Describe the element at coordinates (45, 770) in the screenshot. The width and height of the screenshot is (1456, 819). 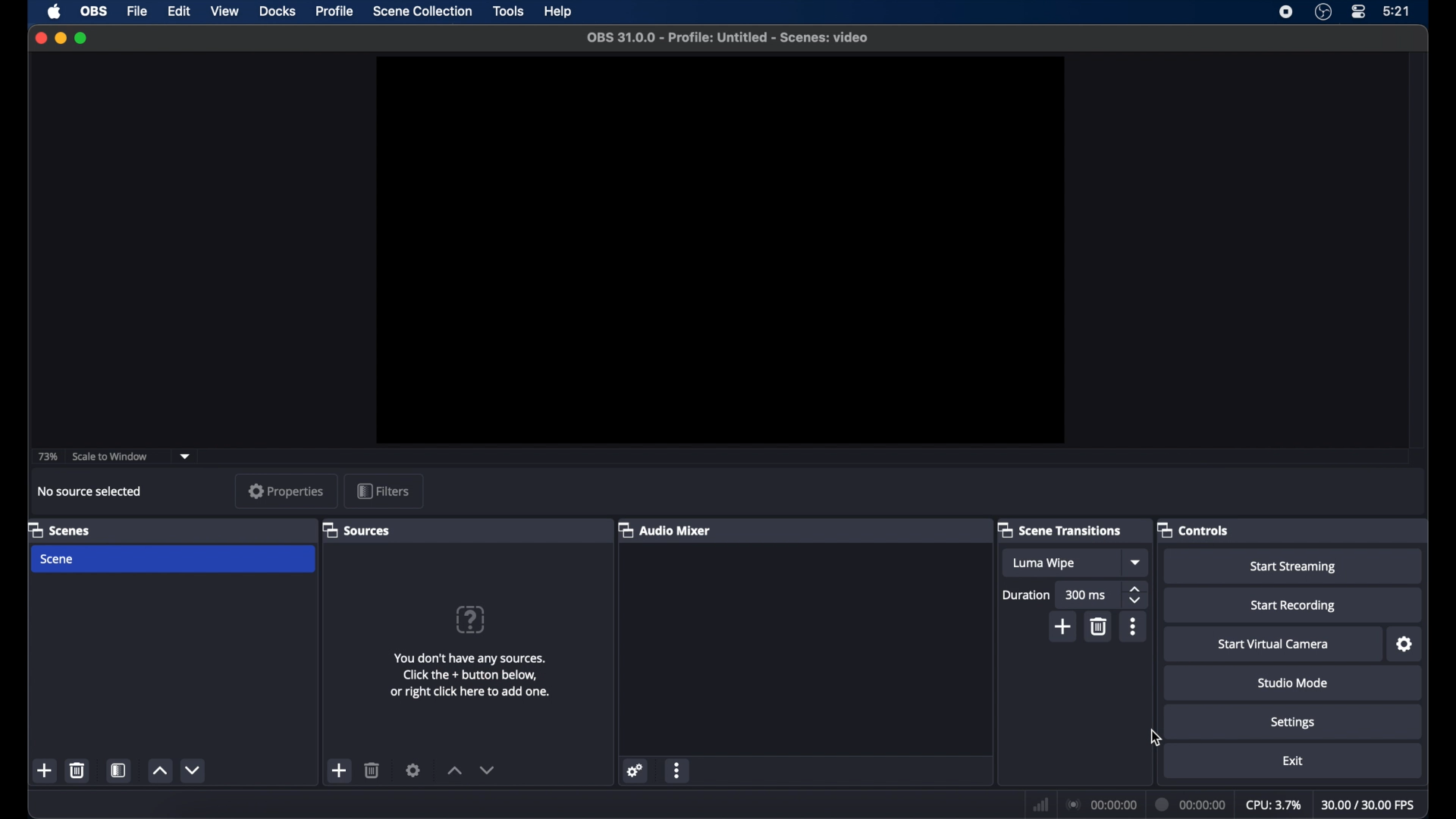
I see `add` at that location.